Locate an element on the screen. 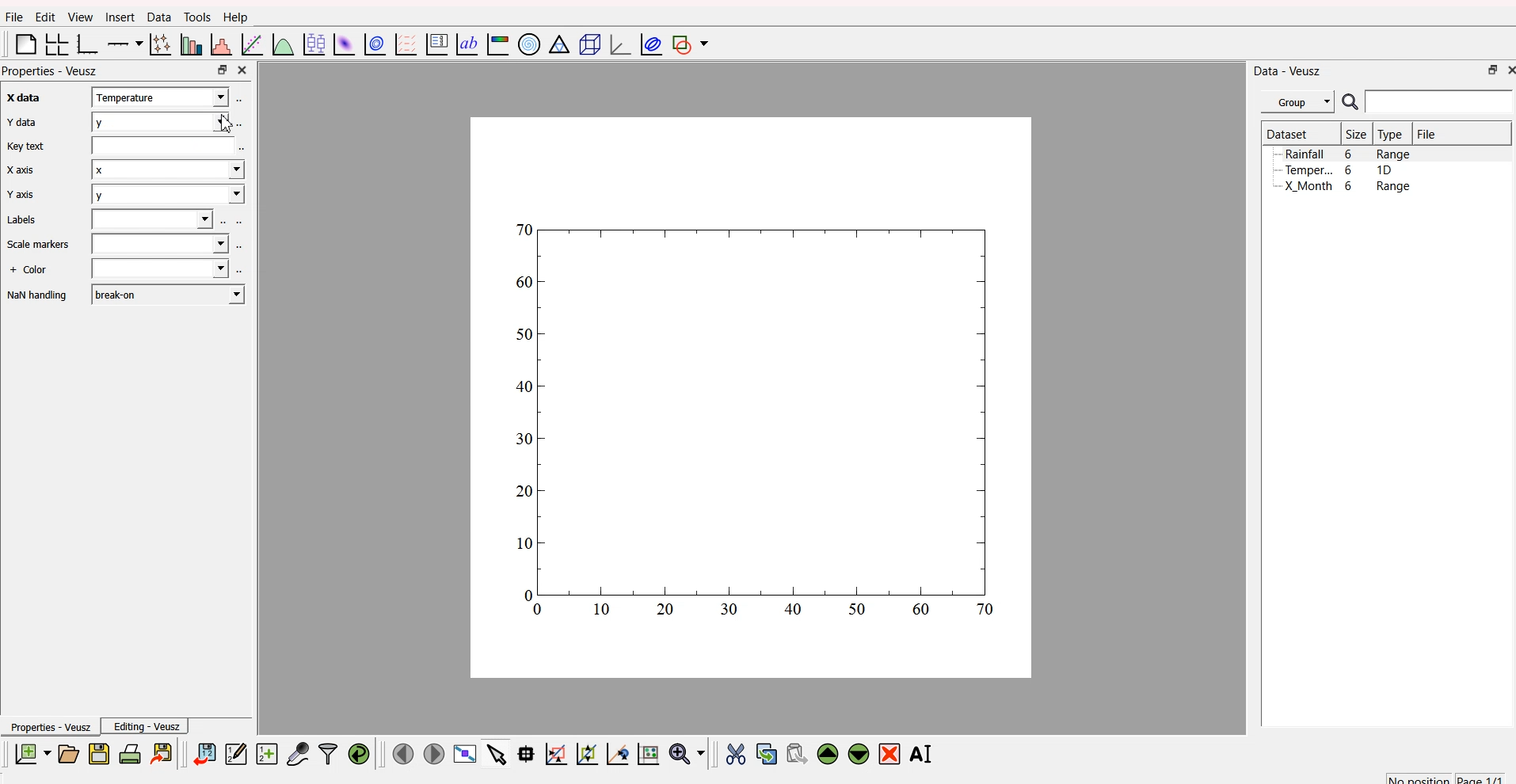 The width and height of the screenshot is (1516, 784). X axis is located at coordinates (22, 170).